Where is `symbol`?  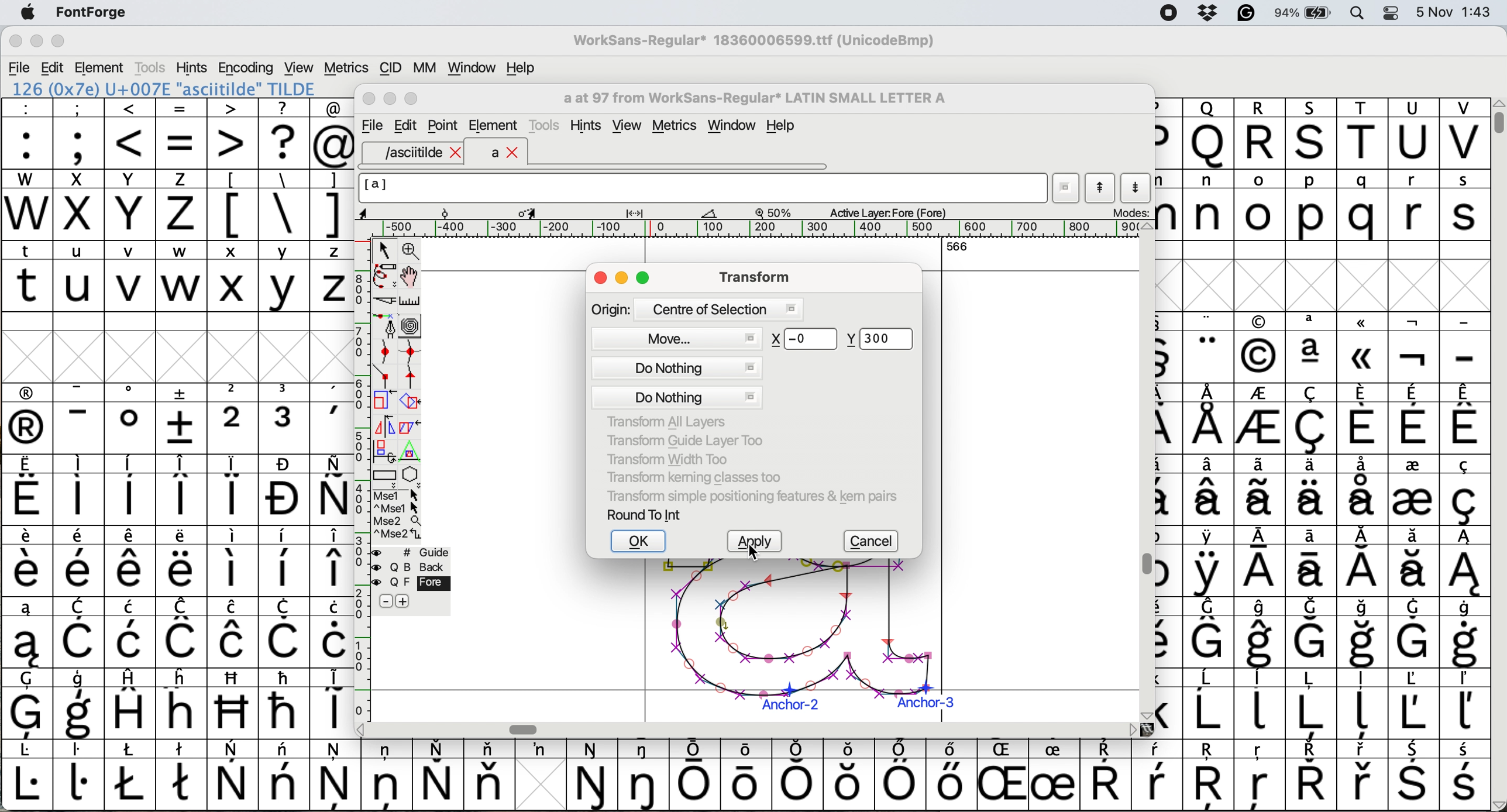
symbol is located at coordinates (1364, 776).